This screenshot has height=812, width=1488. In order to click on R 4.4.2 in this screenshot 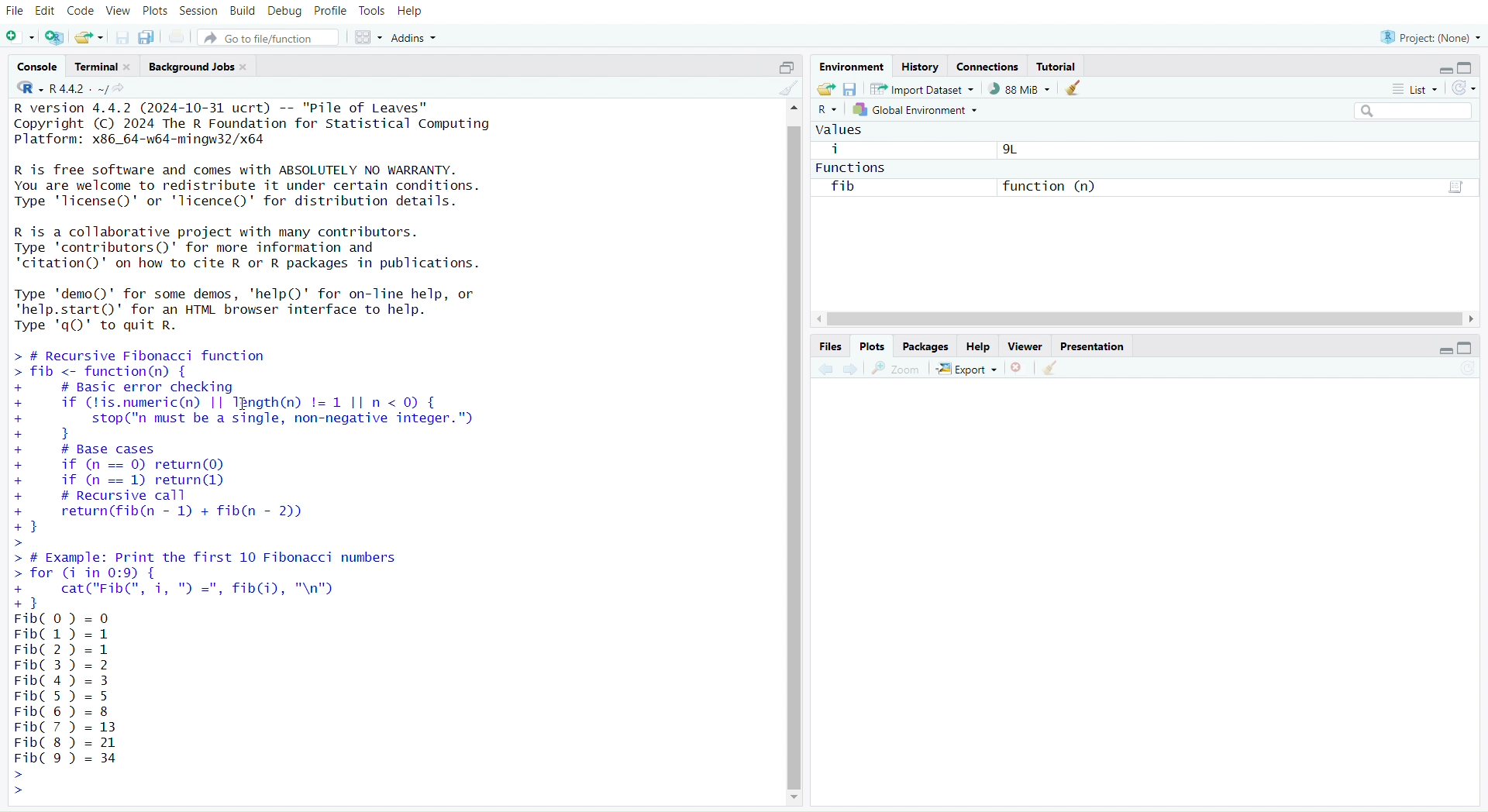, I will do `click(63, 89)`.